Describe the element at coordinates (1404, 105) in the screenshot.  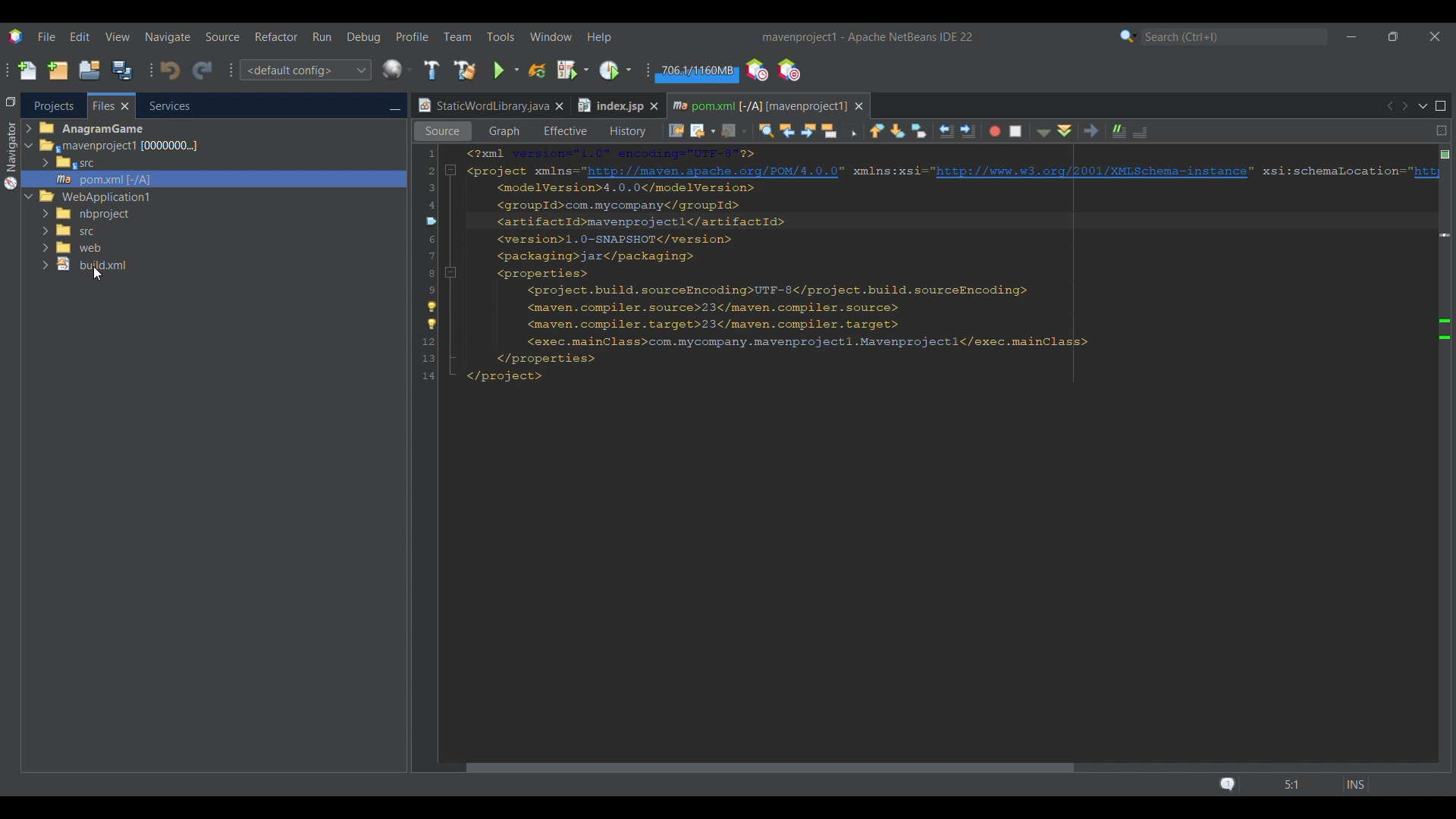
I see `Next` at that location.